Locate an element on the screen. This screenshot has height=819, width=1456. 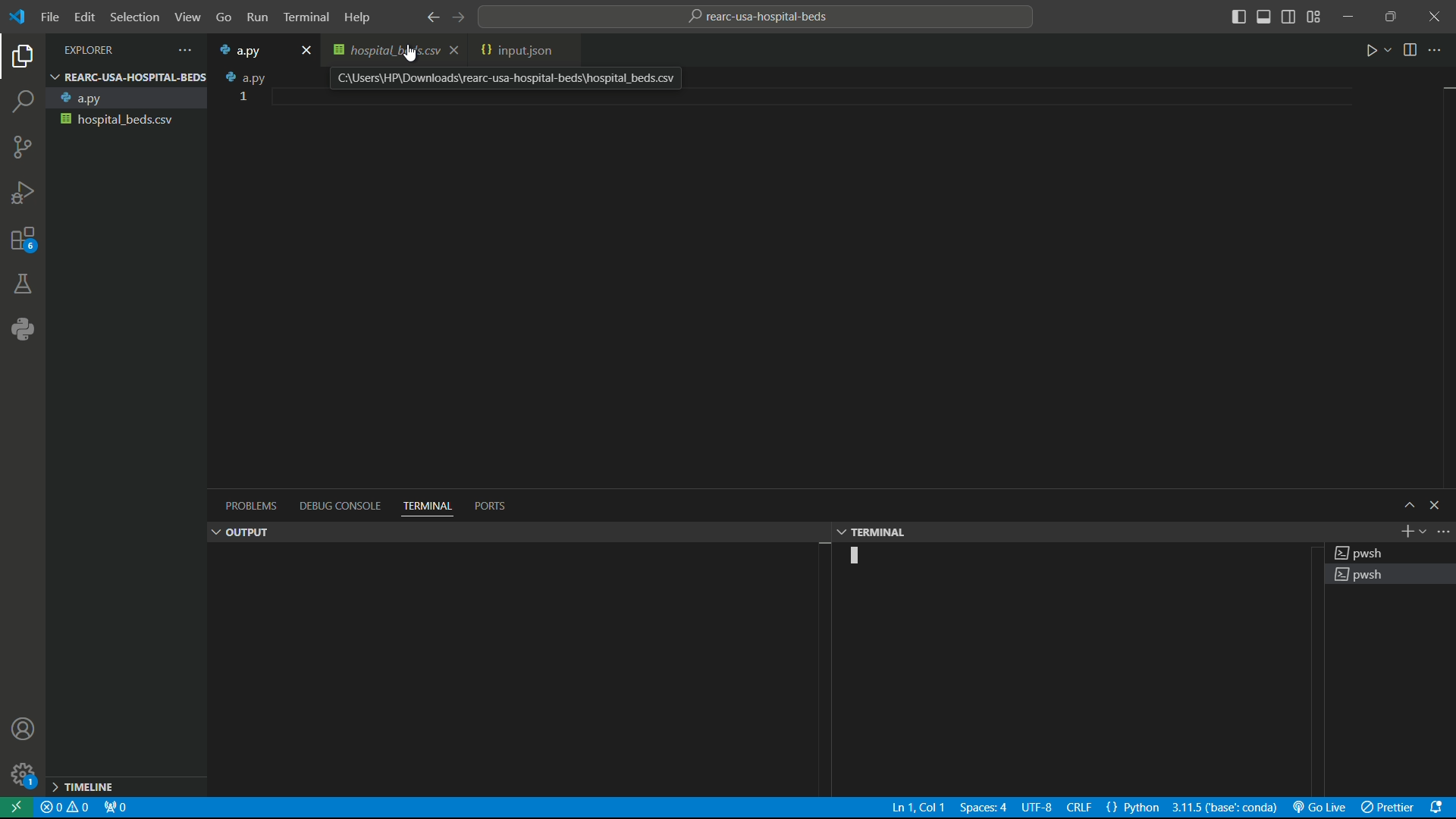
select encoding is located at coordinates (1036, 809).